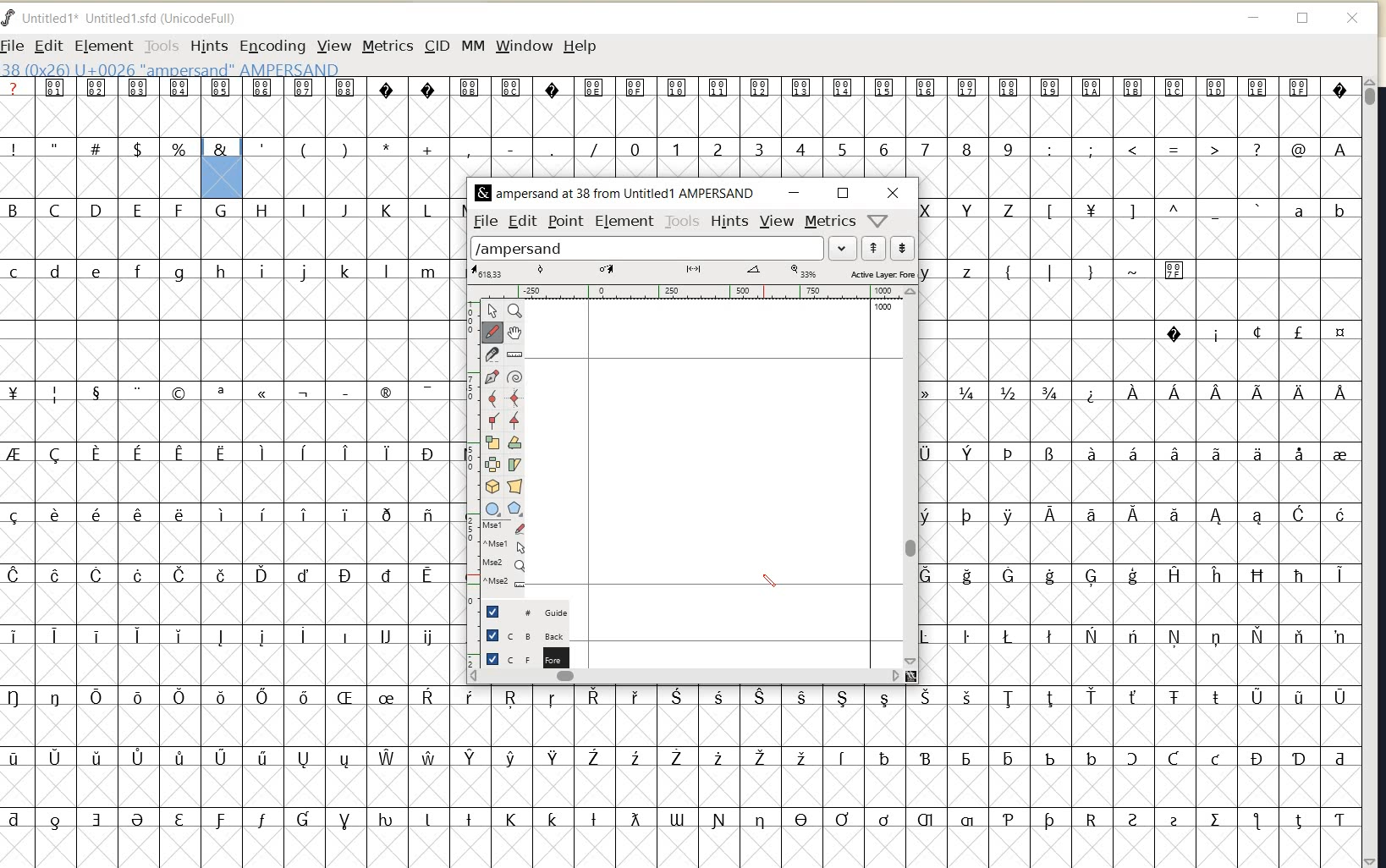  Describe the element at coordinates (624, 222) in the screenshot. I see `ELEMENT` at that location.